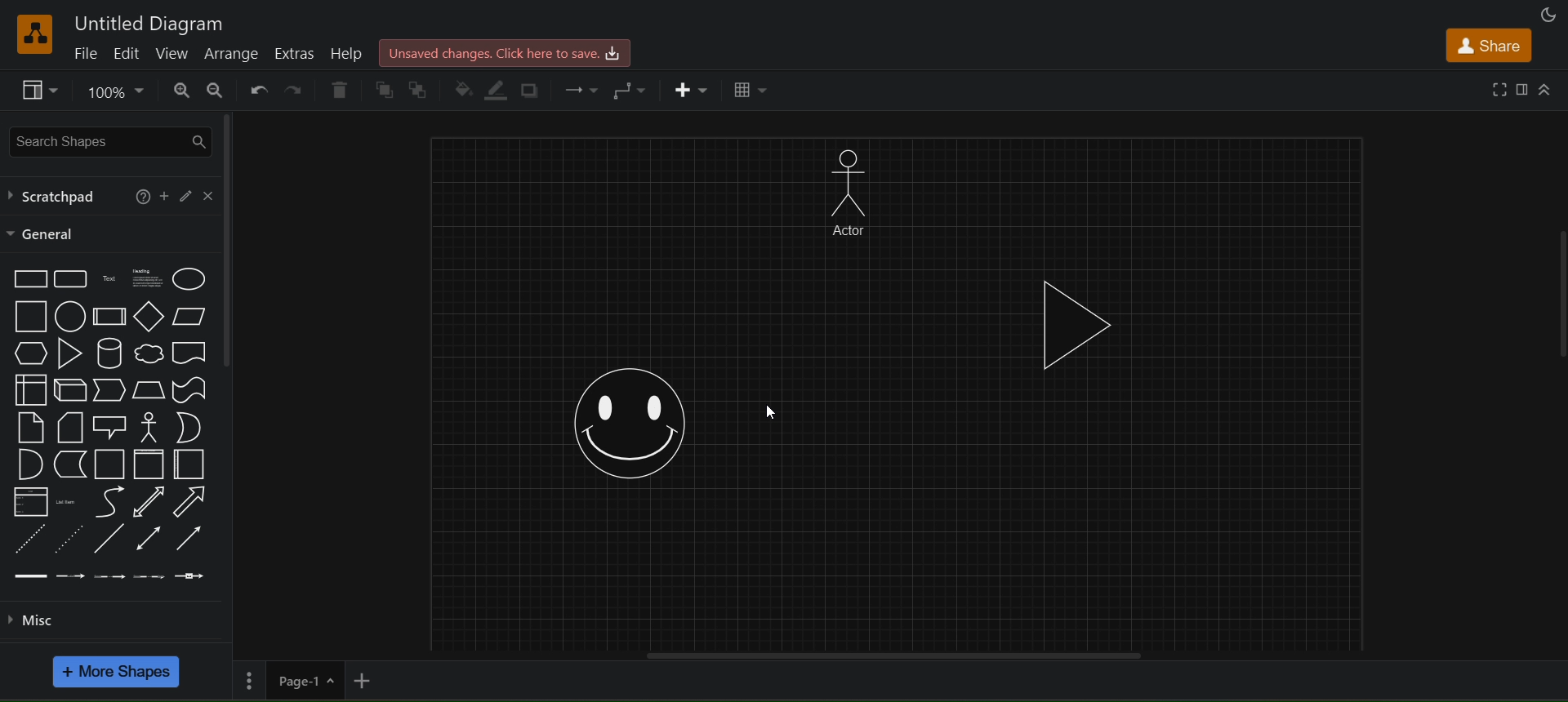 The width and height of the screenshot is (1568, 702). I want to click on bidirectional arrow, so click(149, 500).